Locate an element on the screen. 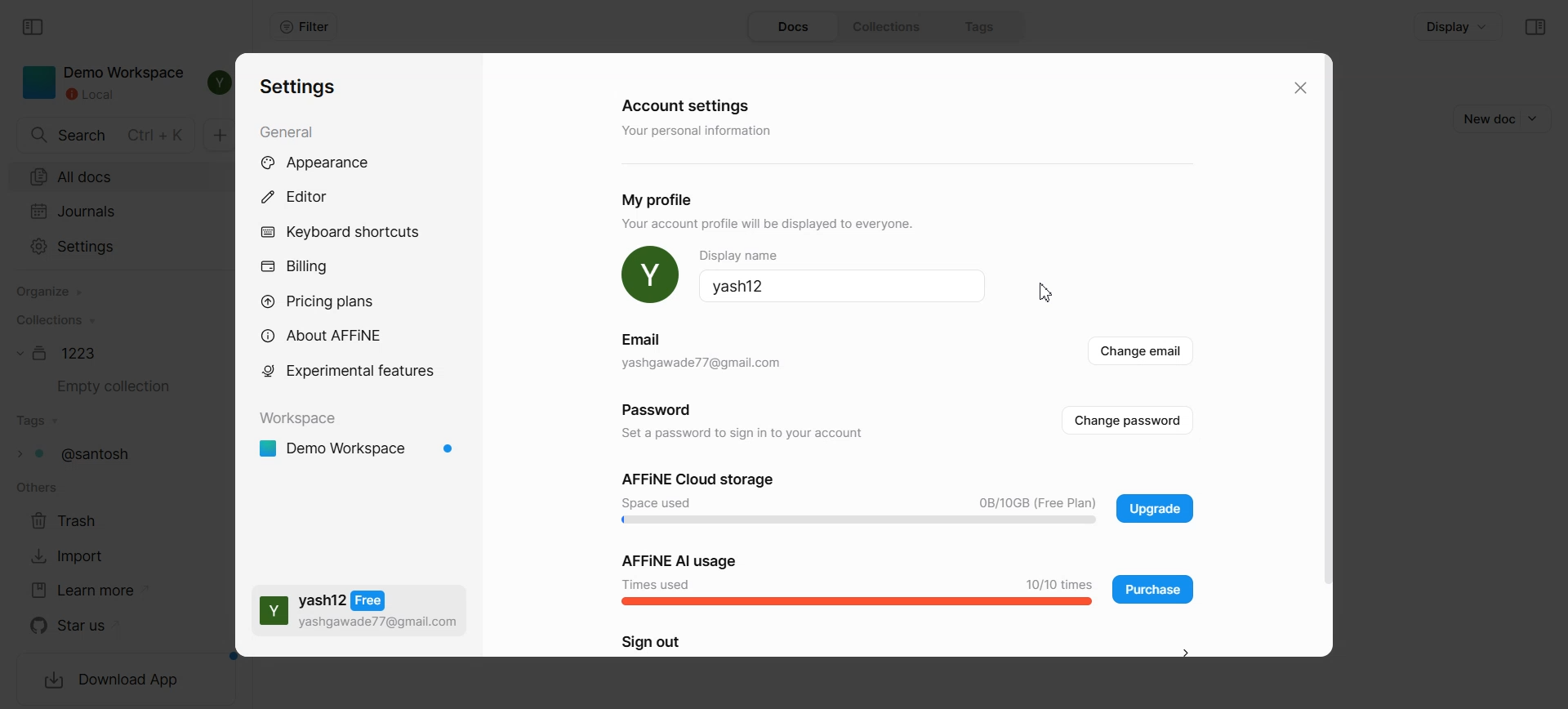 This screenshot has width=1568, height=709. Change email is located at coordinates (1148, 352).